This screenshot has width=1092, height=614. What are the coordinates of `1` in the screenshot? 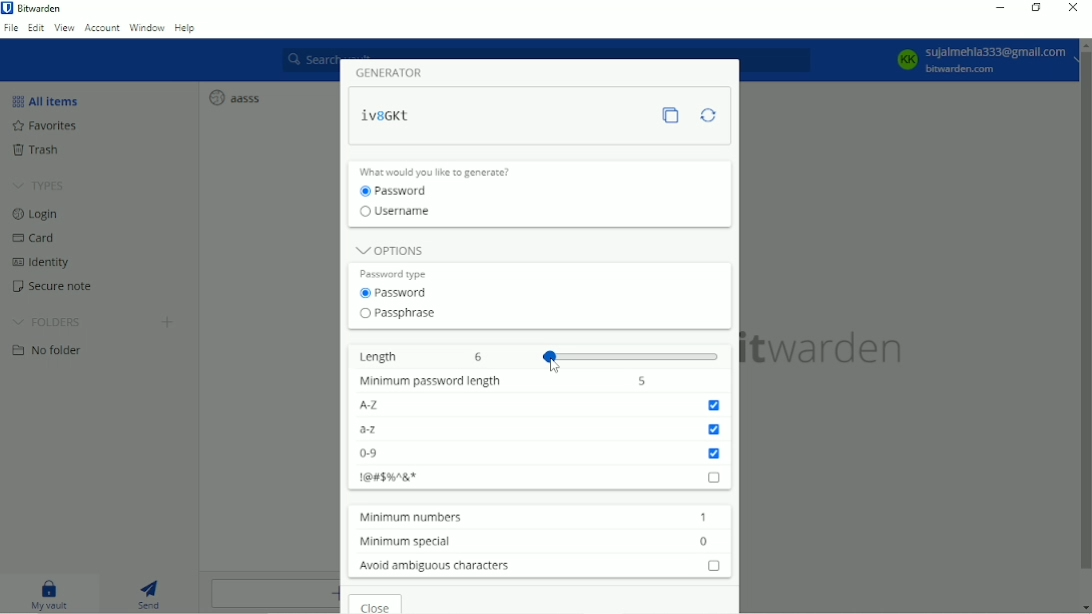 It's located at (703, 517).